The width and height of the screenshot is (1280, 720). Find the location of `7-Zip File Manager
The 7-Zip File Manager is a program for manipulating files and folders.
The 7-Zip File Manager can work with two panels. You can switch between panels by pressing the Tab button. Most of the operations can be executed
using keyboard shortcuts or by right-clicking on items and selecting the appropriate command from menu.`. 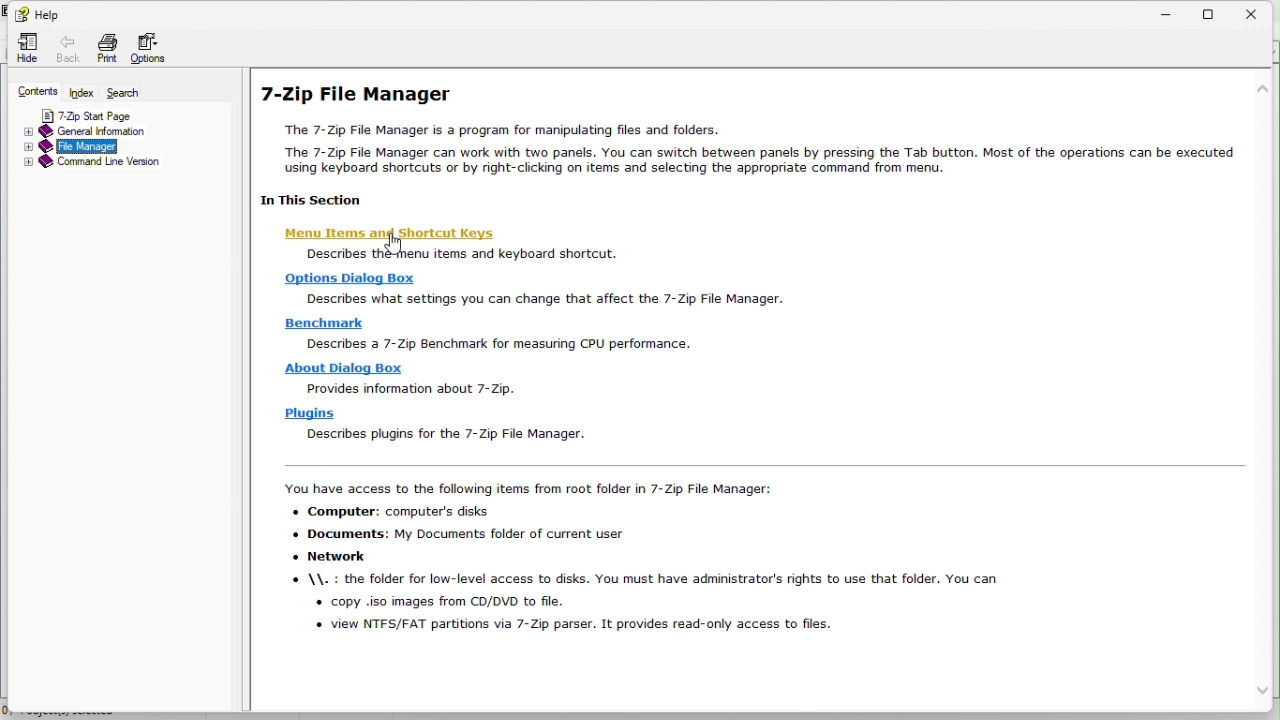

7-Zip File Manager
The 7-Zip File Manager is a program for manipulating files and folders.
The 7-Zip File Manager can work with two panels. You can switch between panels by pressing the Tab button. Most of the operations can be executed
using keyboard shortcuts or by right-clicking on items and selecting the appropriate command from menu. is located at coordinates (746, 128).